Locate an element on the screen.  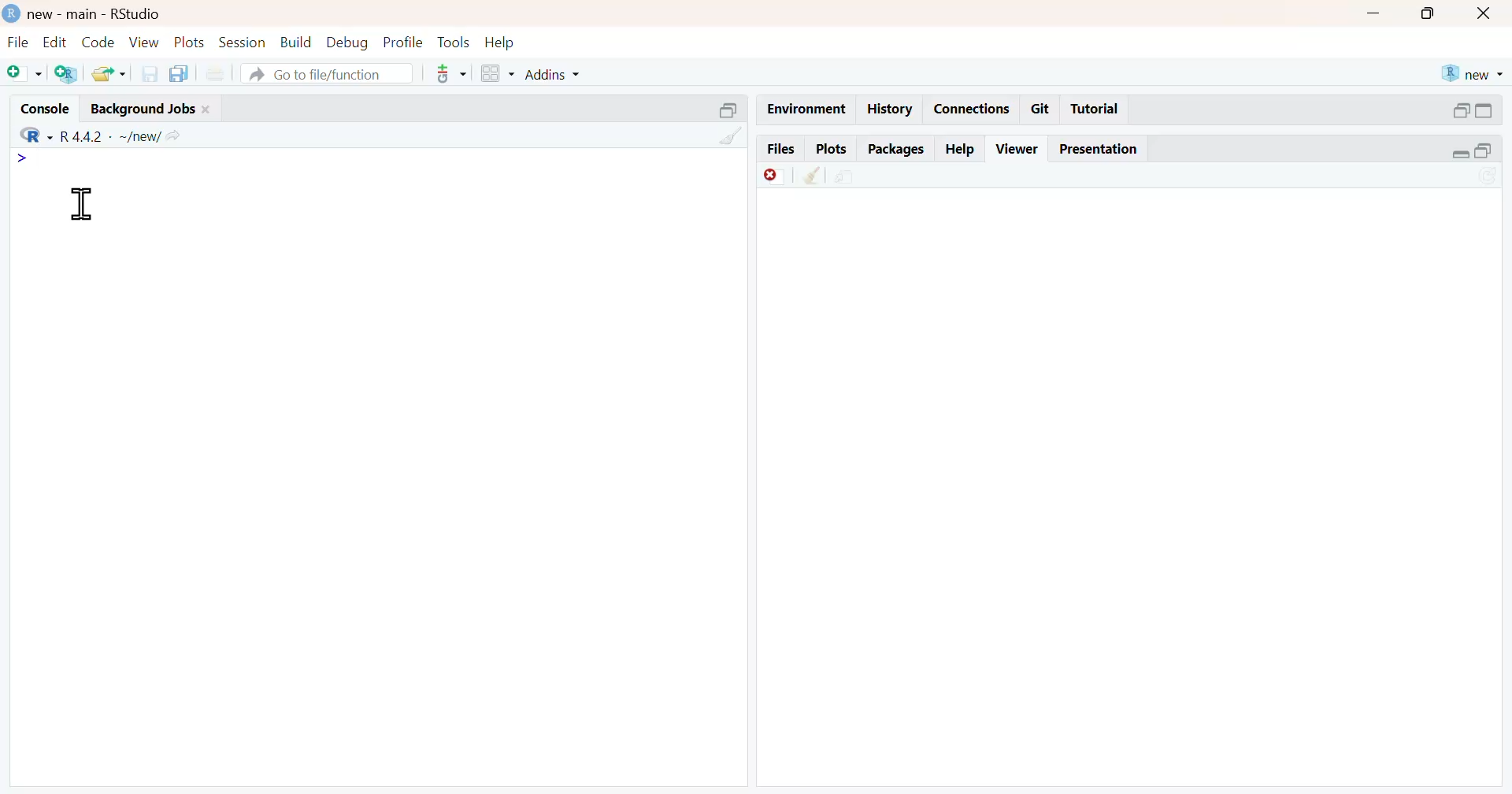
collapse is located at coordinates (732, 113).